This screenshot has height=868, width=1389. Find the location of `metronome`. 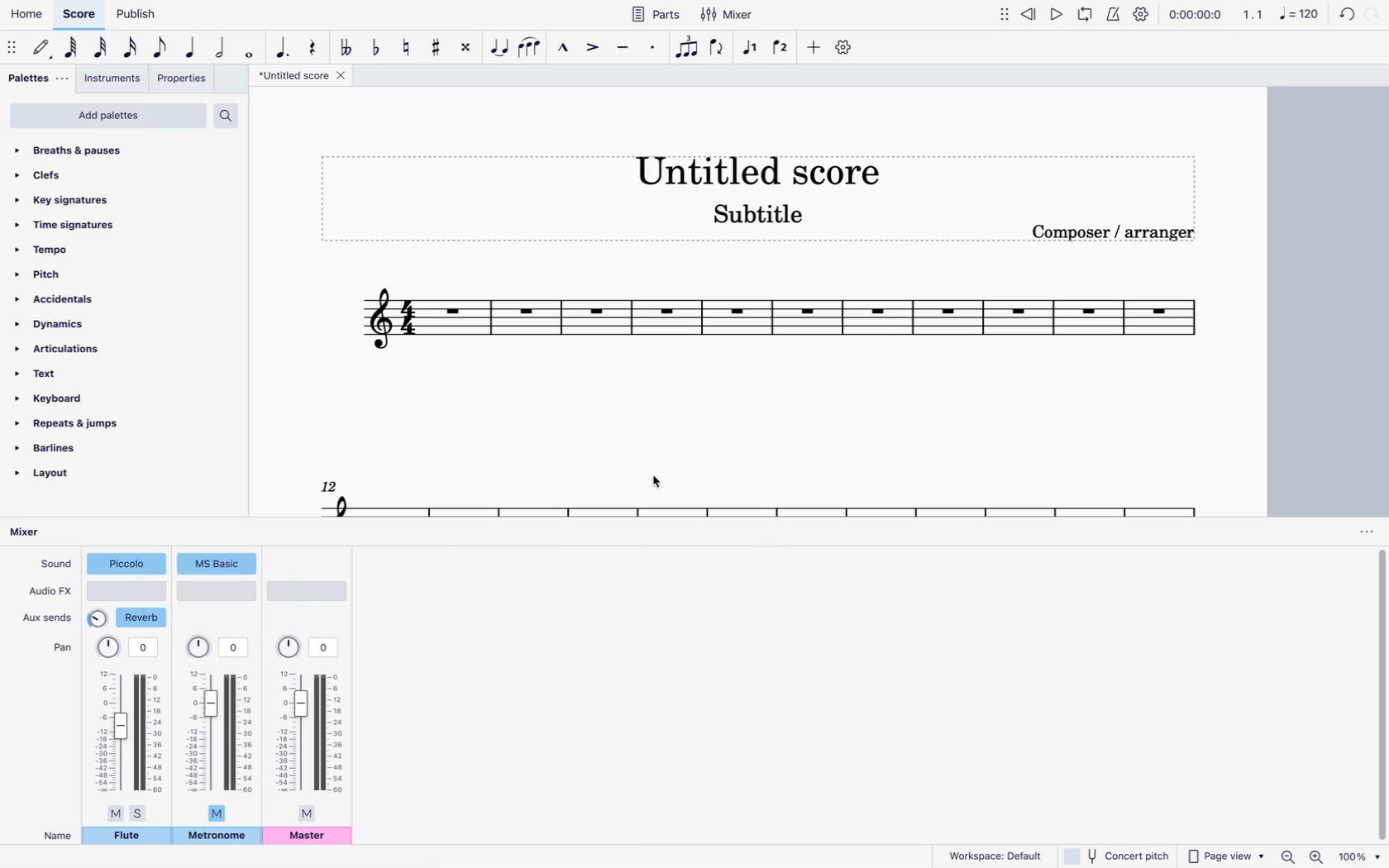

metronome is located at coordinates (217, 837).